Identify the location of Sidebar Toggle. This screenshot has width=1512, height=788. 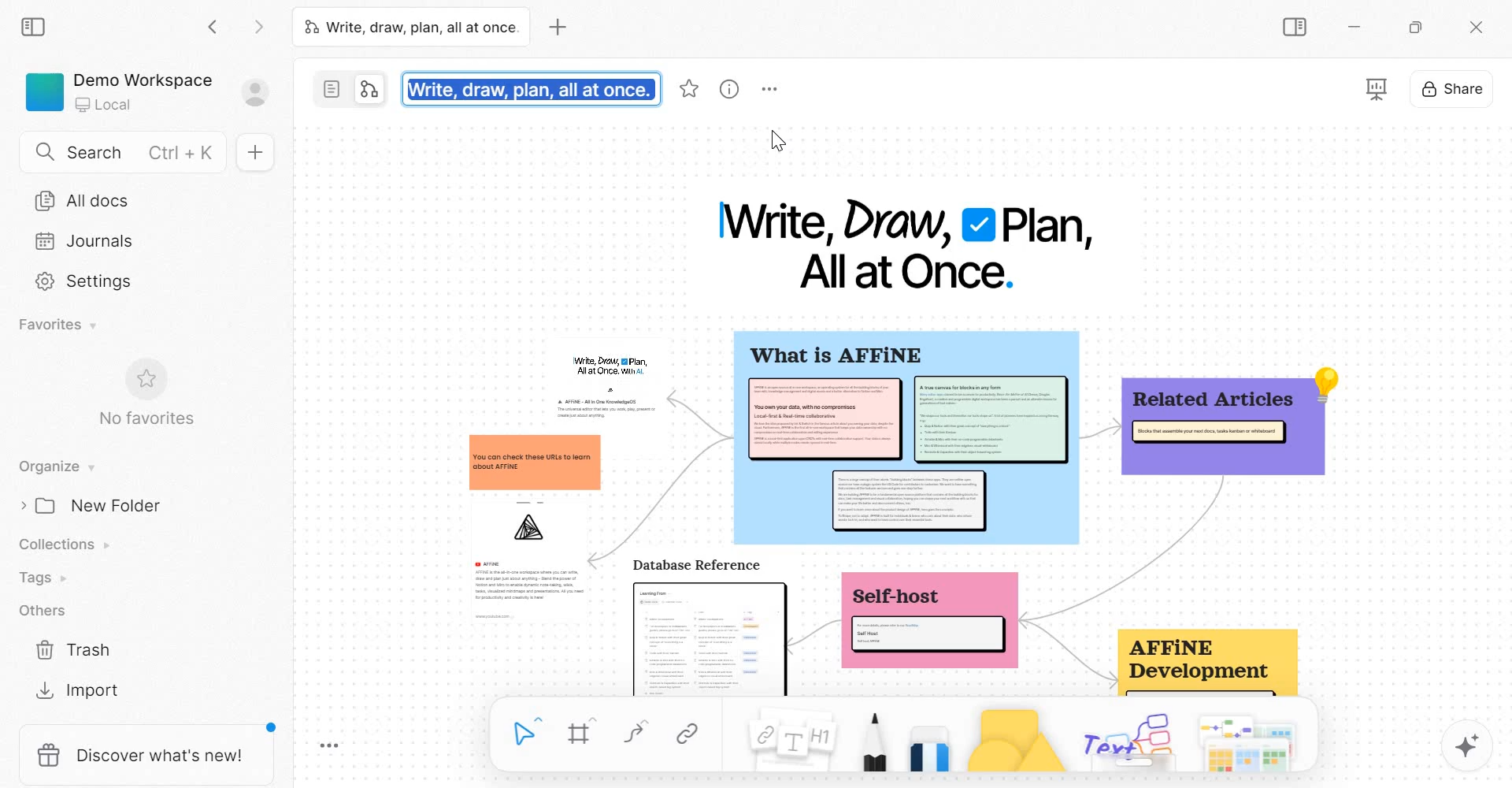
(1295, 28).